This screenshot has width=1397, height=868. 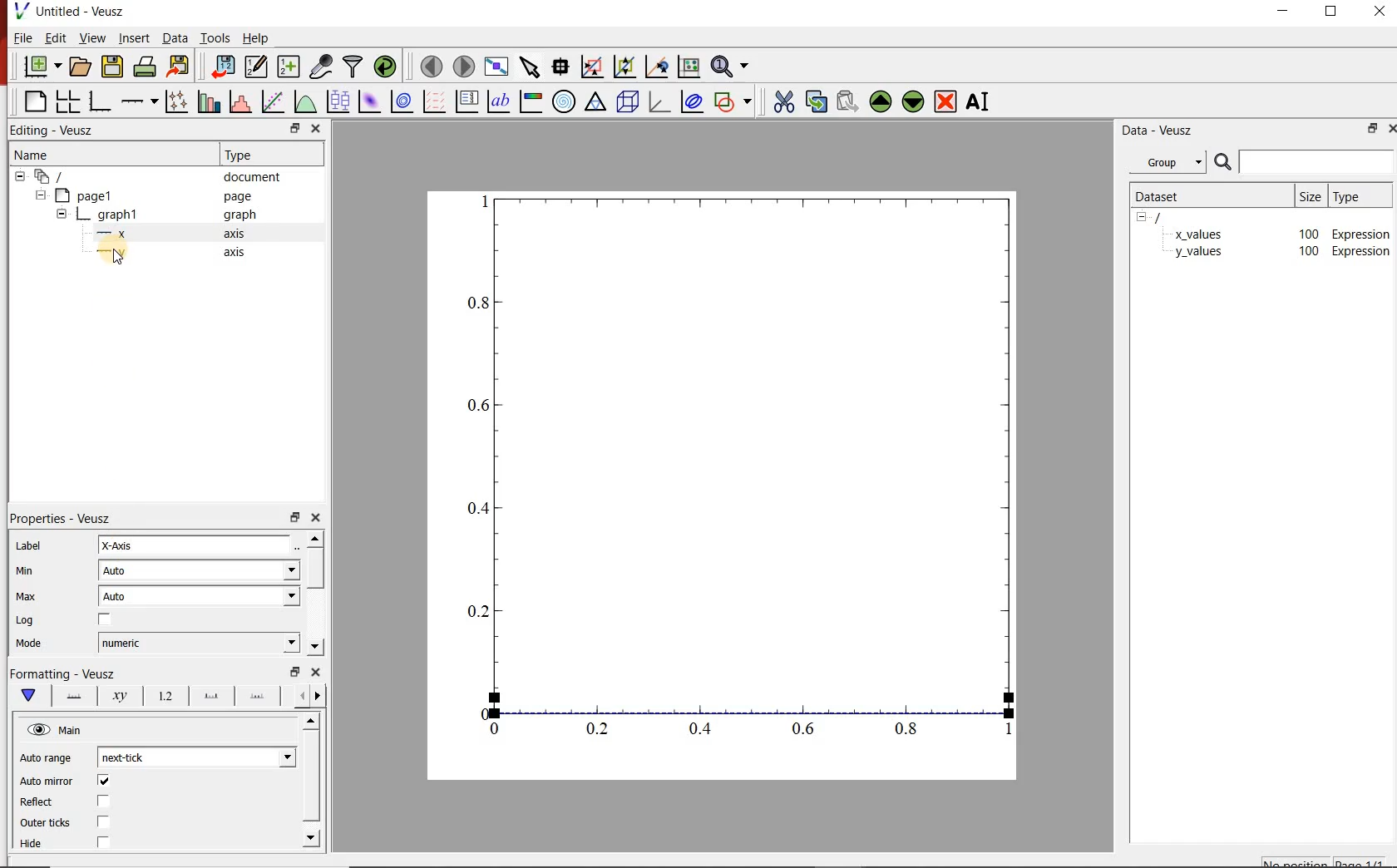 What do you see at coordinates (260, 37) in the screenshot?
I see `help` at bounding box center [260, 37].